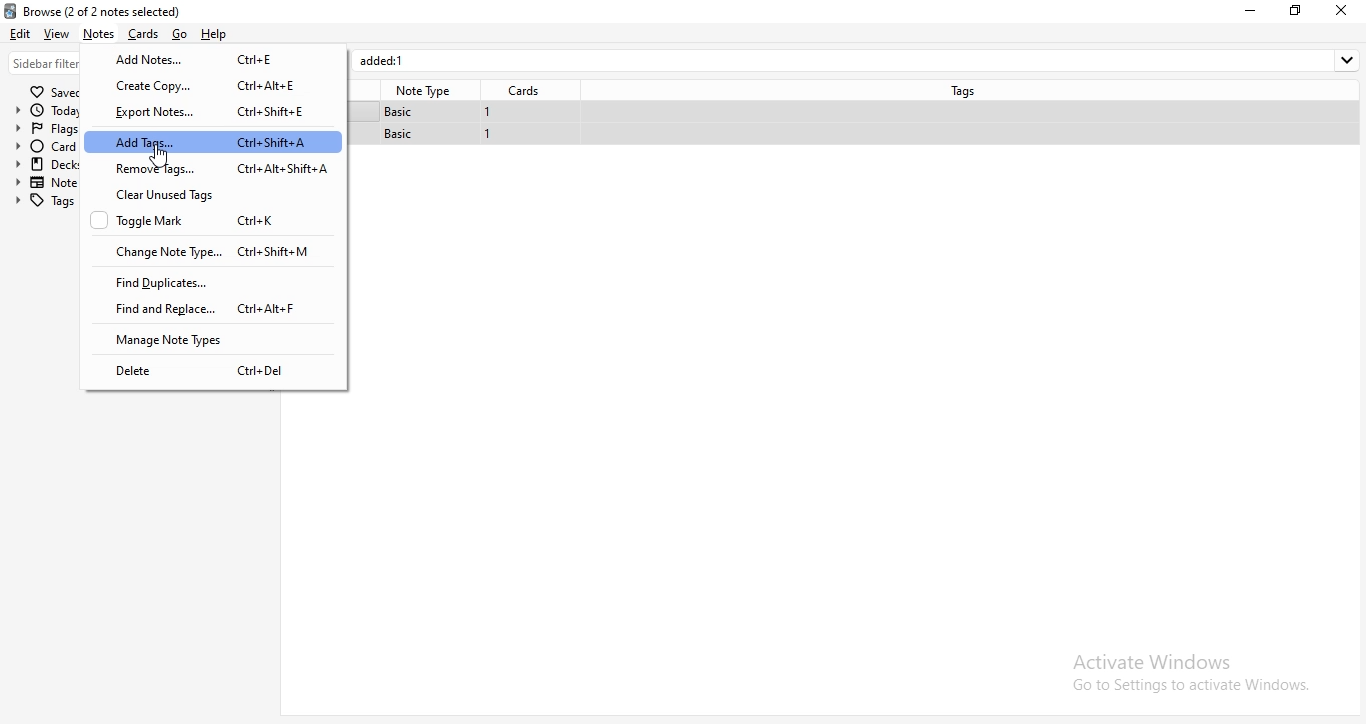 The image size is (1366, 724). Describe the element at coordinates (219, 35) in the screenshot. I see `Help` at that location.